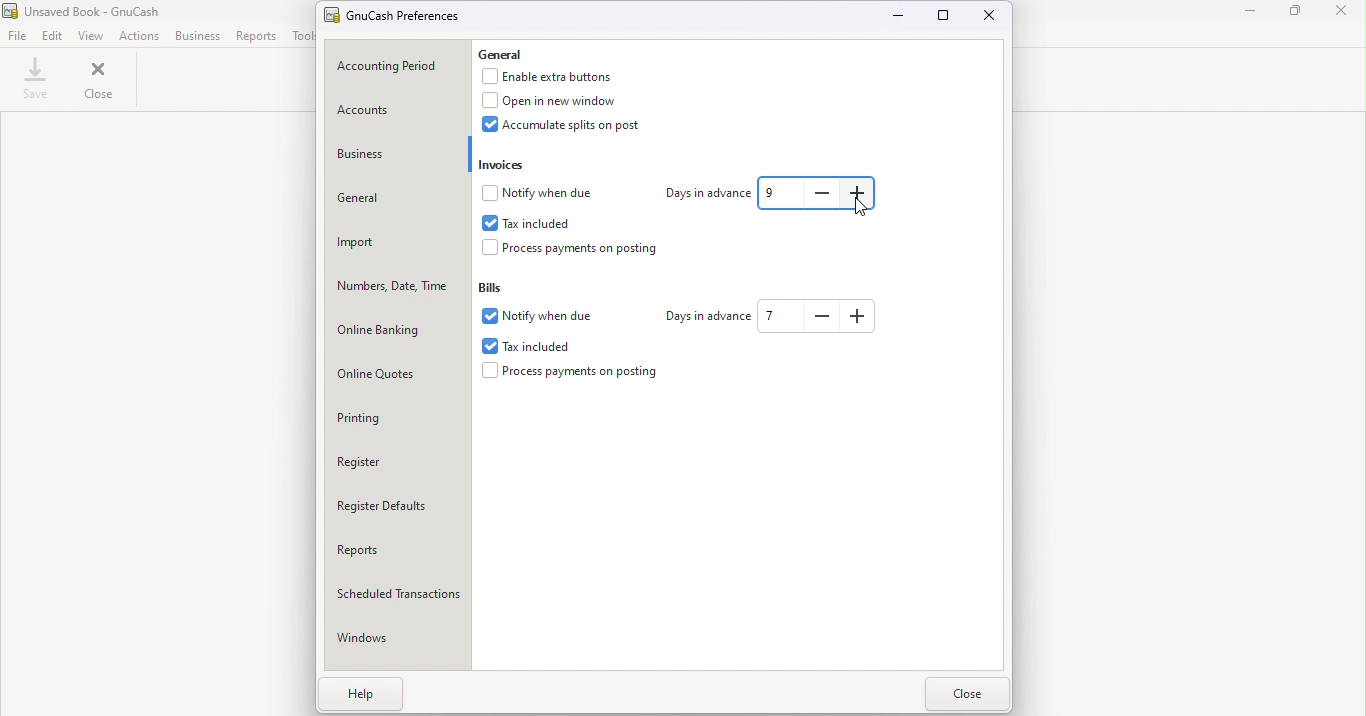  Describe the element at coordinates (397, 556) in the screenshot. I see `Reports` at that location.